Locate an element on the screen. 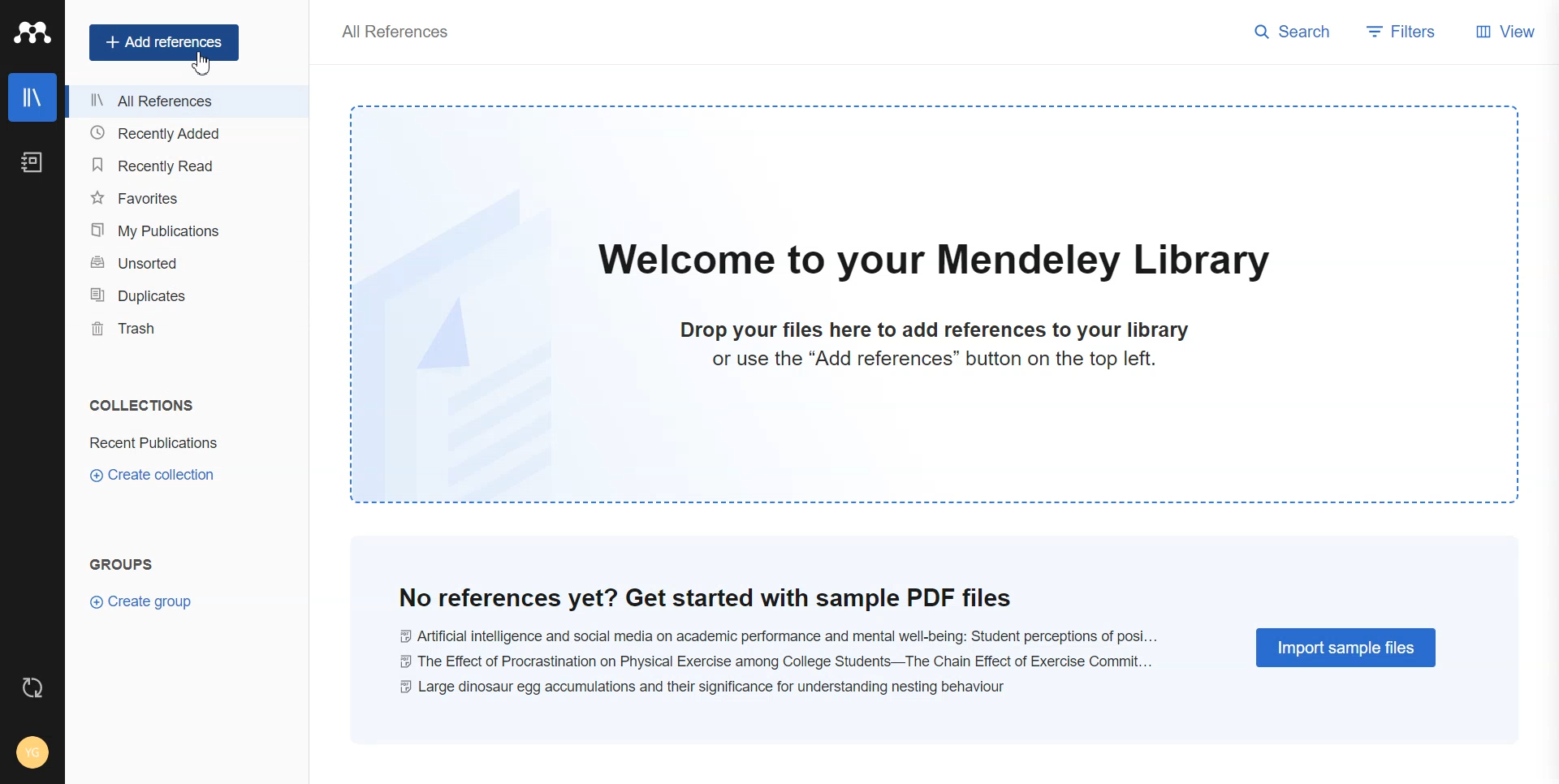 This screenshot has height=784, width=1559. Cursor is located at coordinates (203, 64).